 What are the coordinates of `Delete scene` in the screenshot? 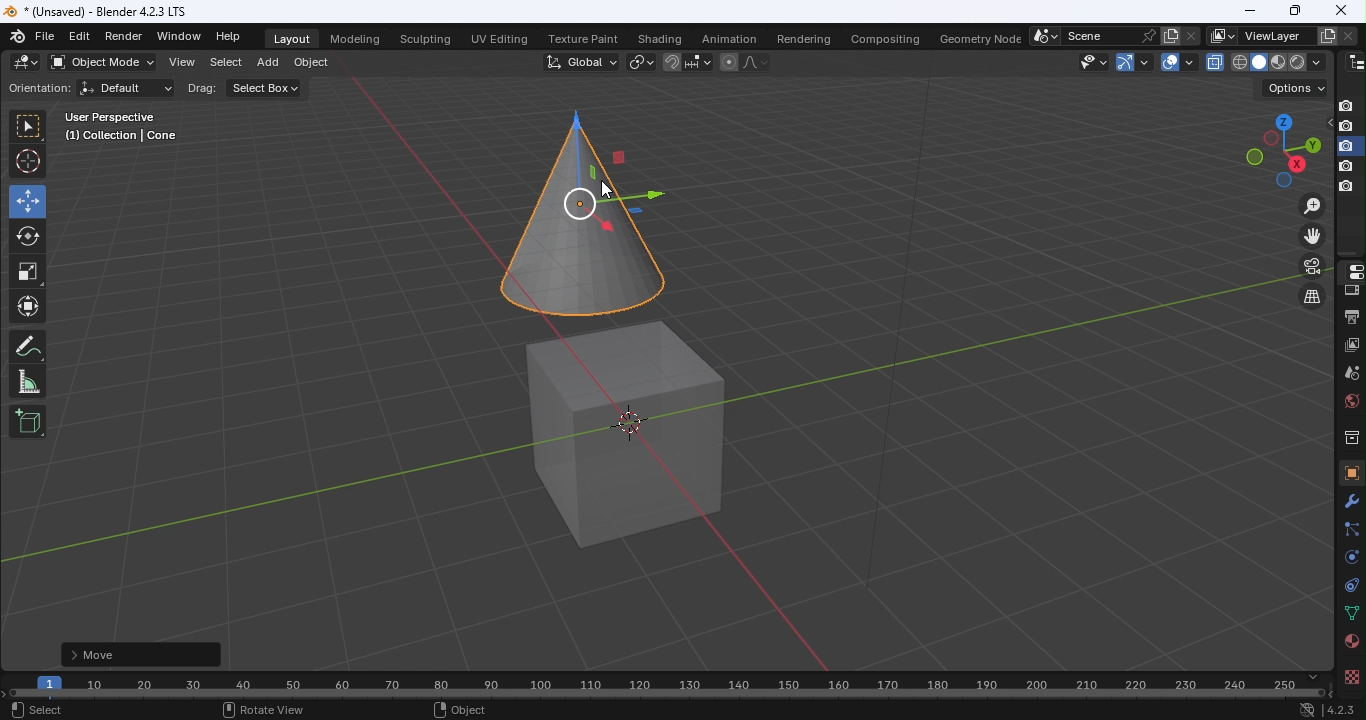 It's located at (1190, 35).